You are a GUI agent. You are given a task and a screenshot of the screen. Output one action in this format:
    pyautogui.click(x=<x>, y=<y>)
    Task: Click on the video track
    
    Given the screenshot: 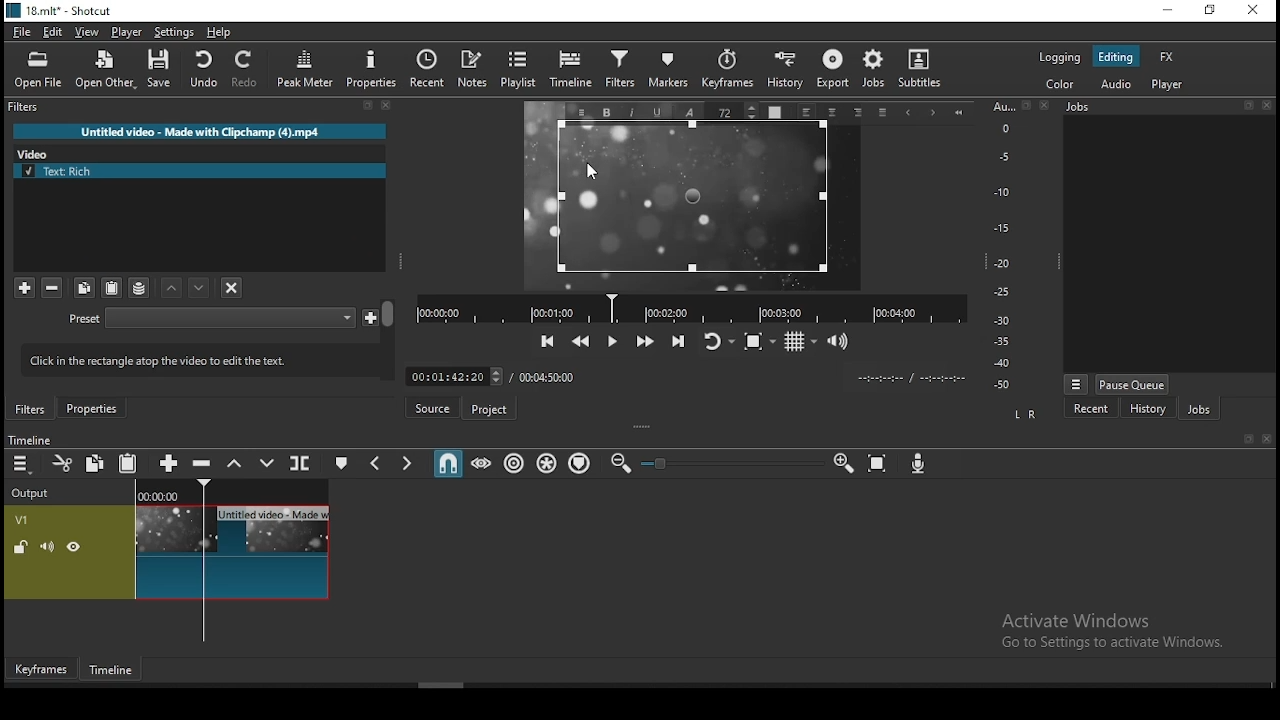 What is the action you would take?
    pyautogui.click(x=167, y=552)
    